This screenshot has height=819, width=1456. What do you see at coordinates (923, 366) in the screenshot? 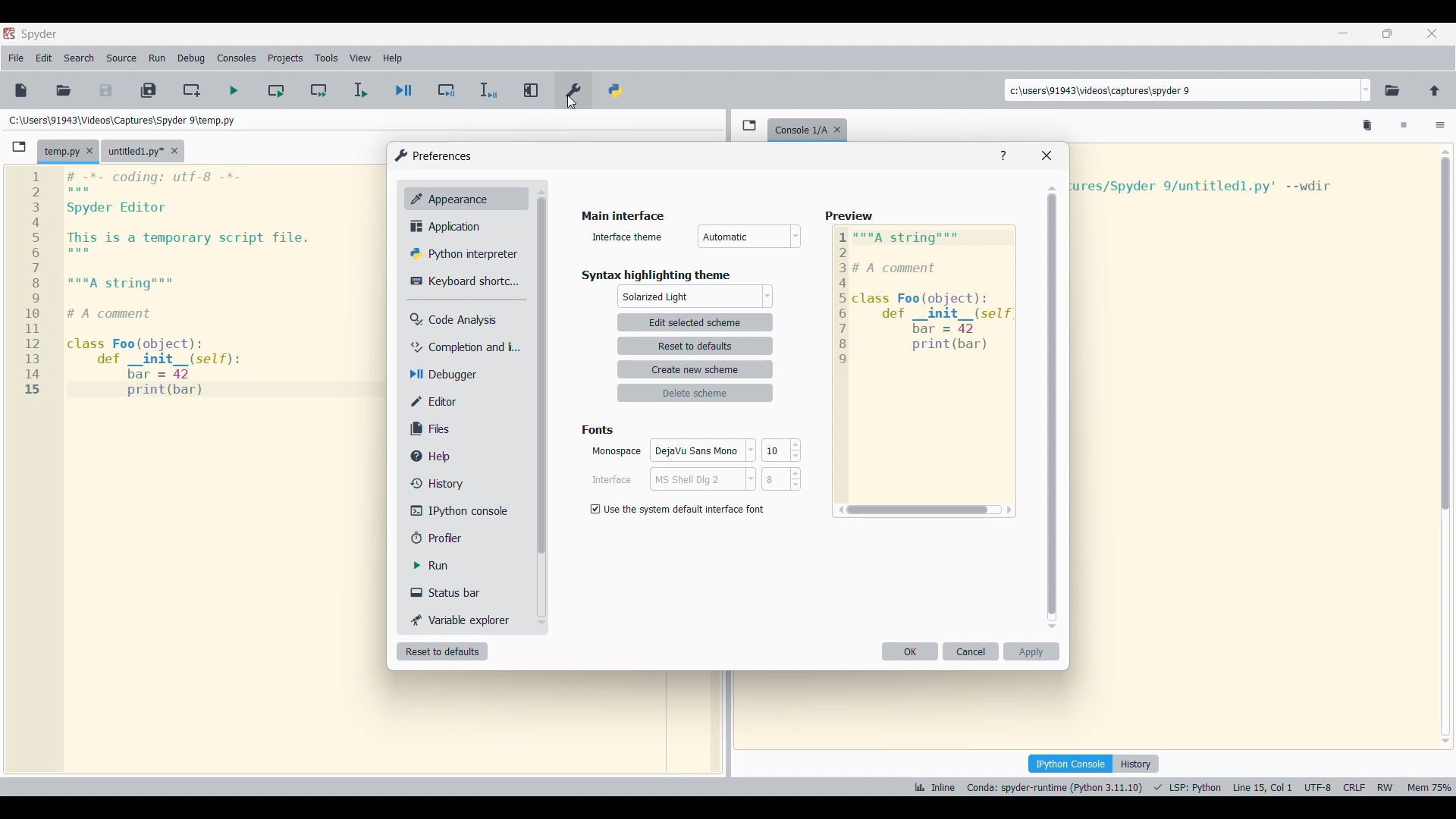
I see `Preview` at bounding box center [923, 366].